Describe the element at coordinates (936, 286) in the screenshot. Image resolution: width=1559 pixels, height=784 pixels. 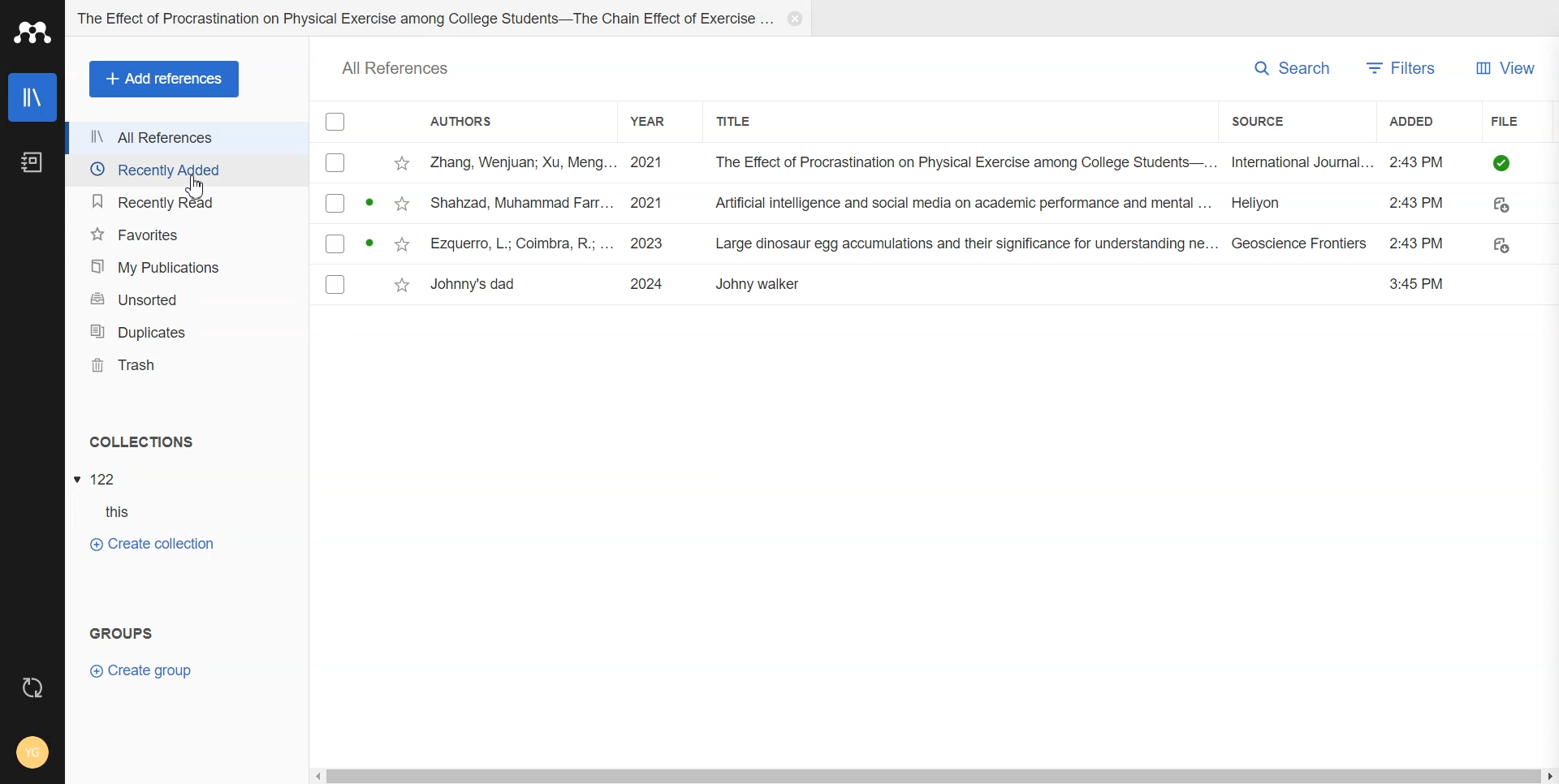
I see `File` at that location.